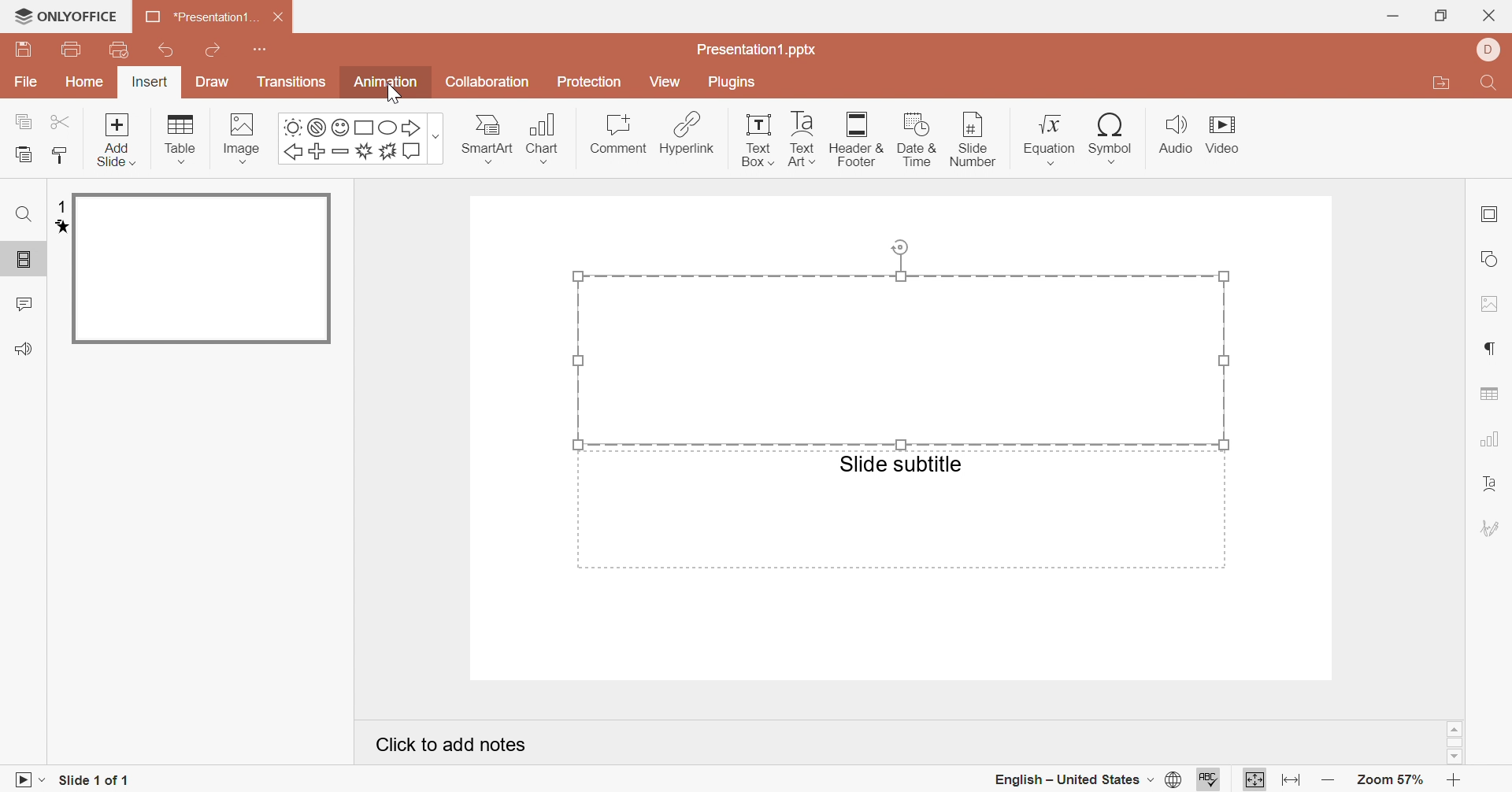 This screenshot has width=1512, height=792. What do you see at coordinates (1489, 393) in the screenshot?
I see `table settings` at bounding box center [1489, 393].